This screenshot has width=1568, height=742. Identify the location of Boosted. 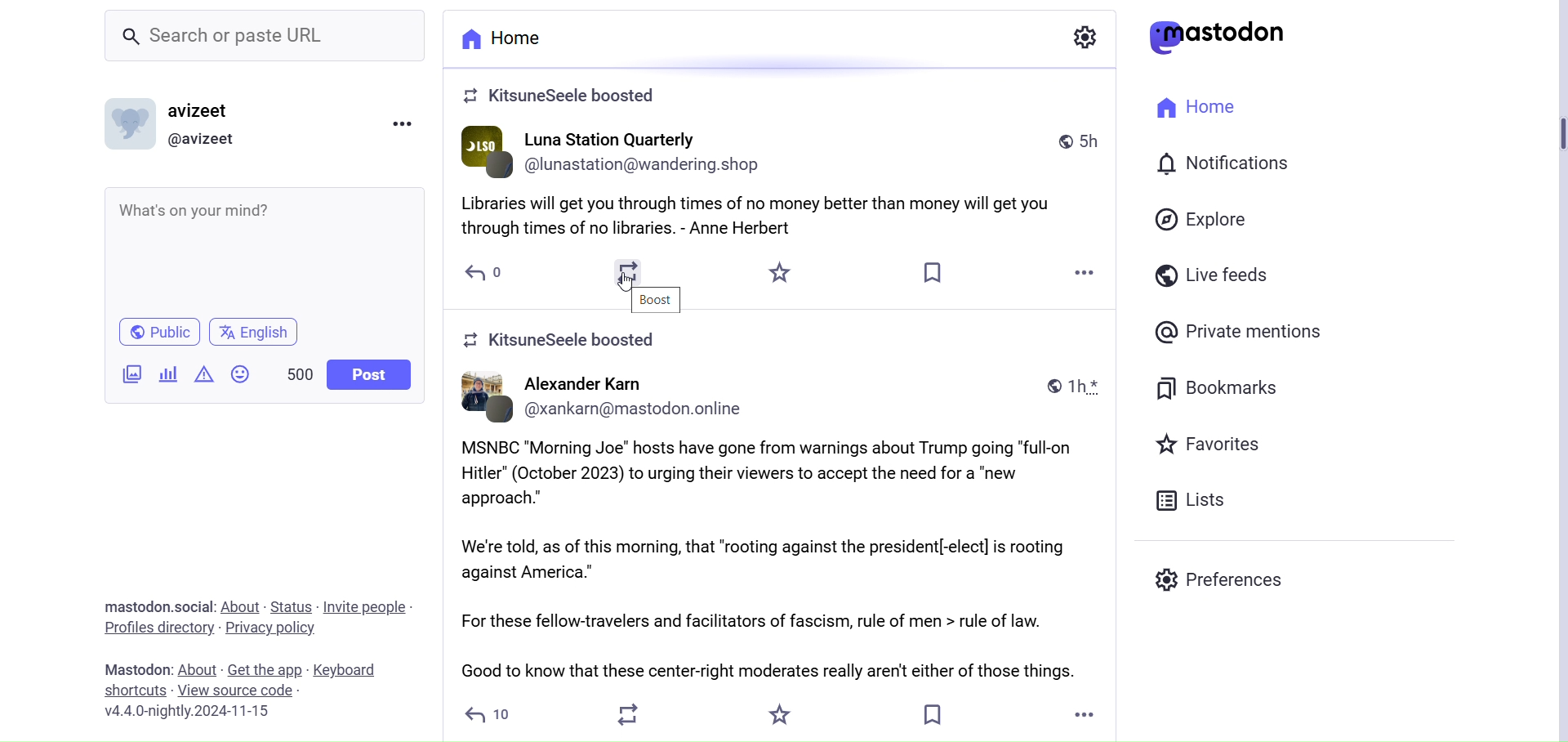
(574, 343).